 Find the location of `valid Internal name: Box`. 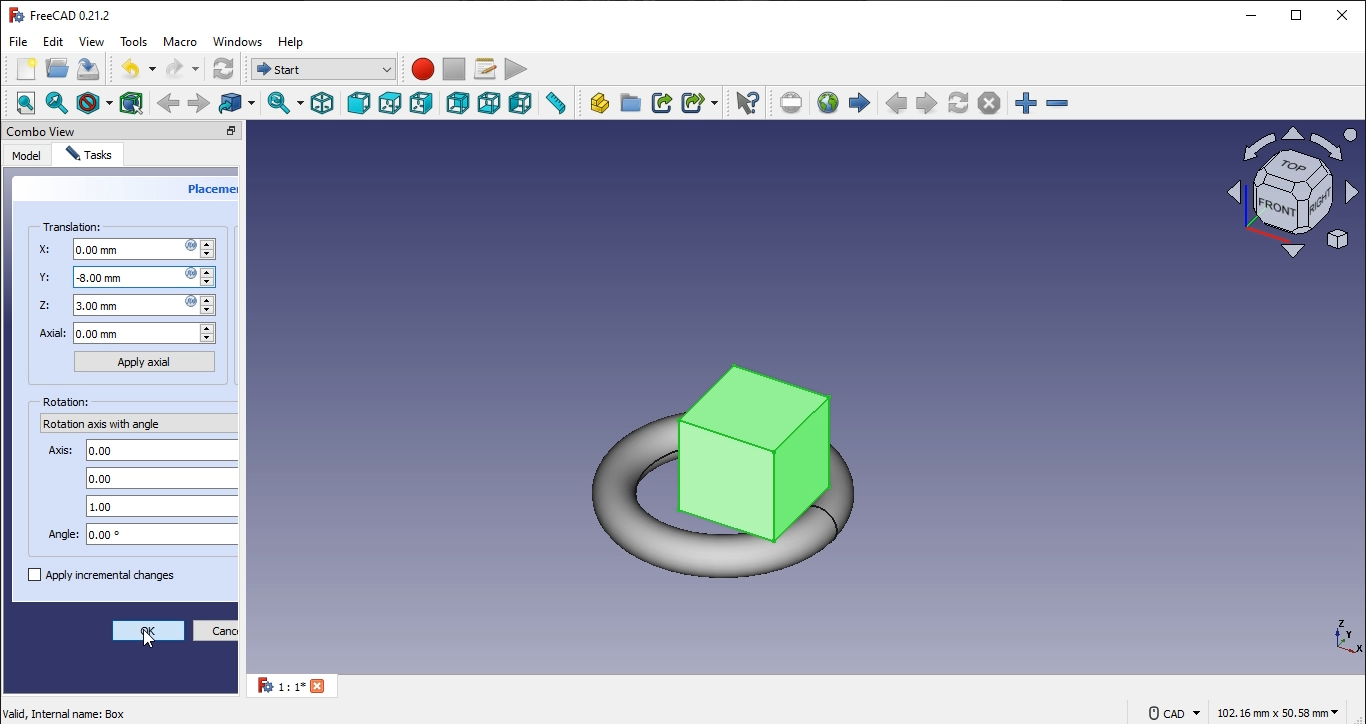

valid Internal name: Box is located at coordinates (64, 712).